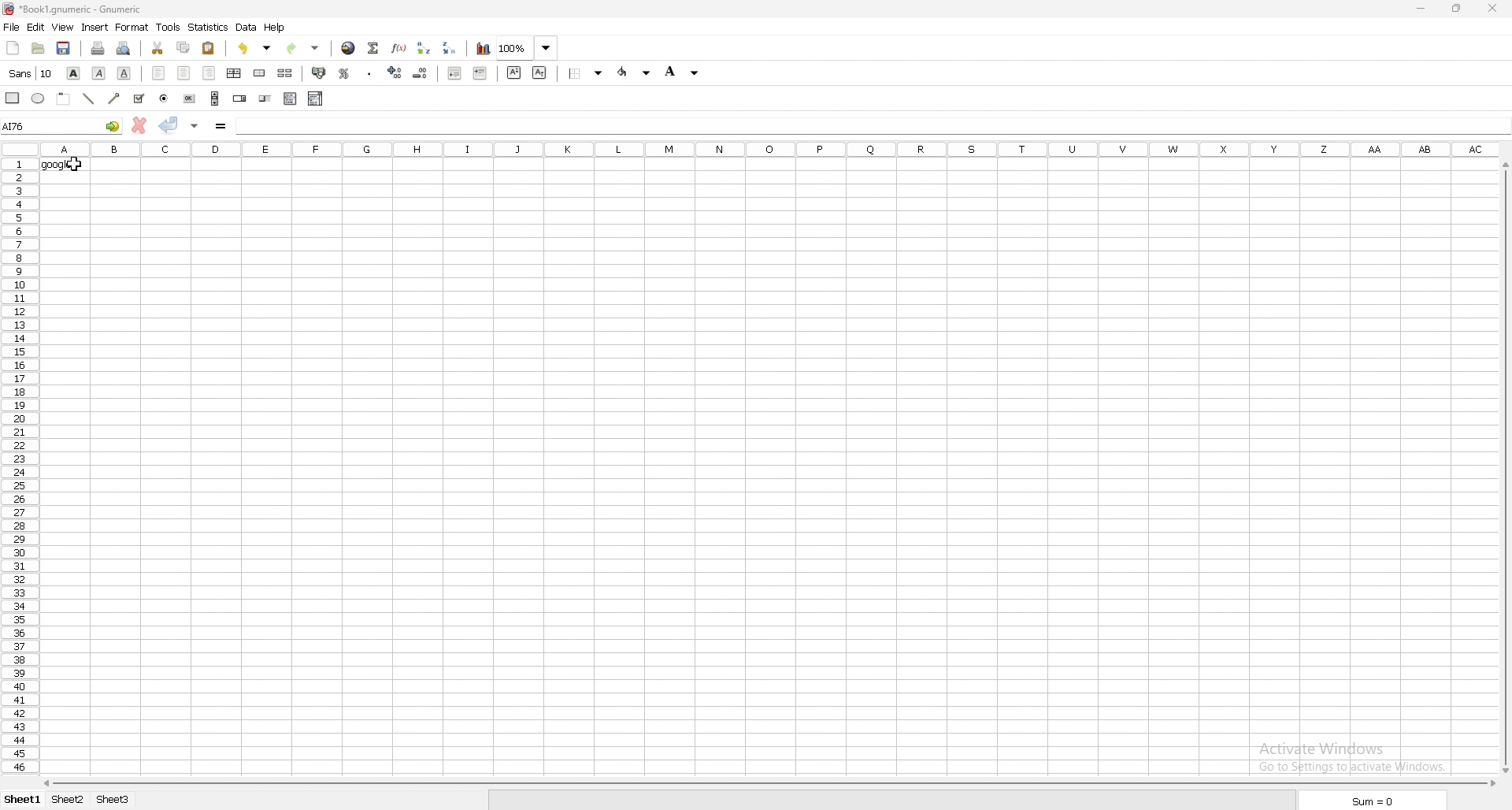 Image resolution: width=1512 pixels, height=810 pixels. I want to click on data, so click(246, 27).